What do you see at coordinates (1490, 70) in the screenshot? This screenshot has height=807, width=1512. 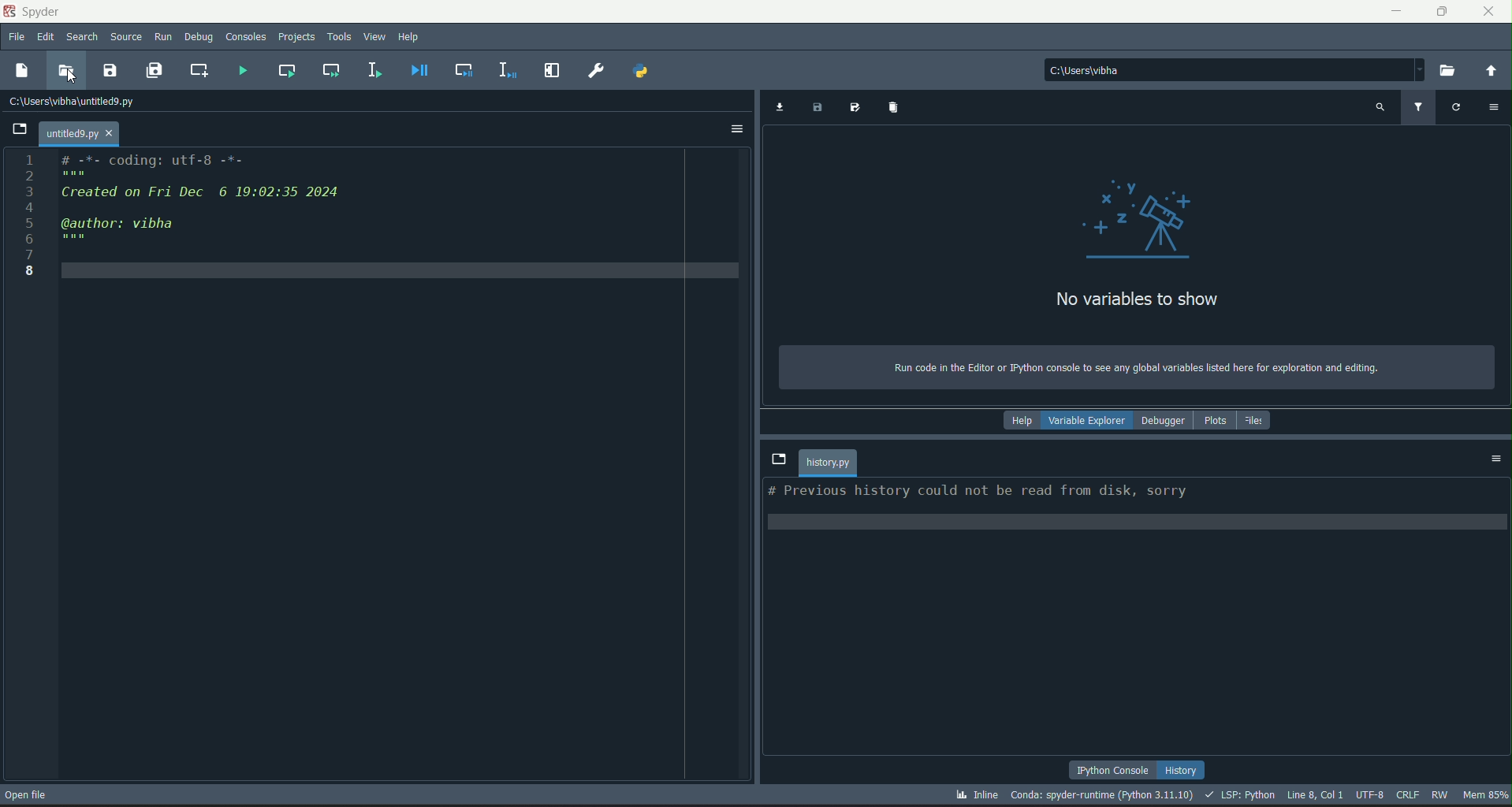 I see `change to parent directory` at bounding box center [1490, 70].